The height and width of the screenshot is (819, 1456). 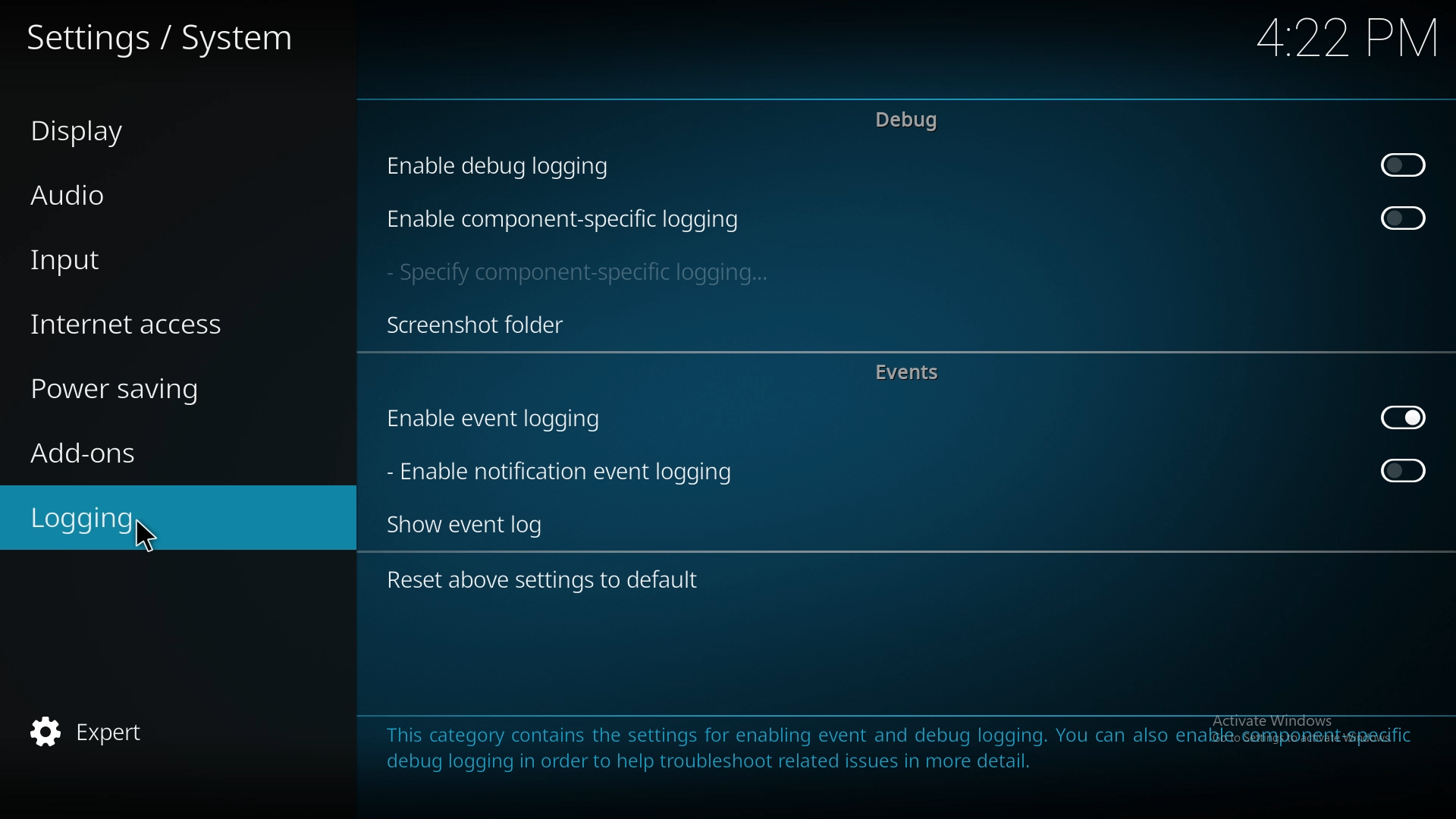 I want to click on time, so click(x=1332, y=39).